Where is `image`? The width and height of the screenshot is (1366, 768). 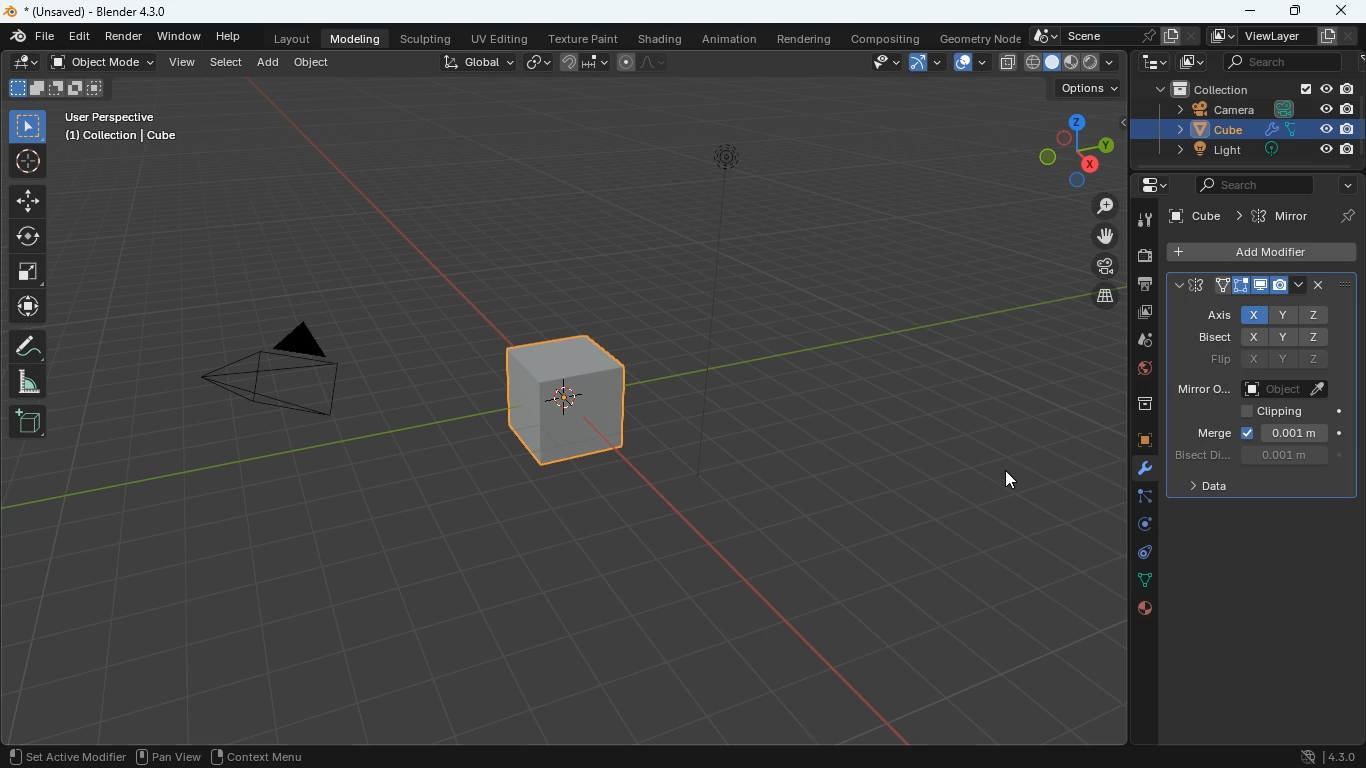
image is located at coordinates (1142, 315).